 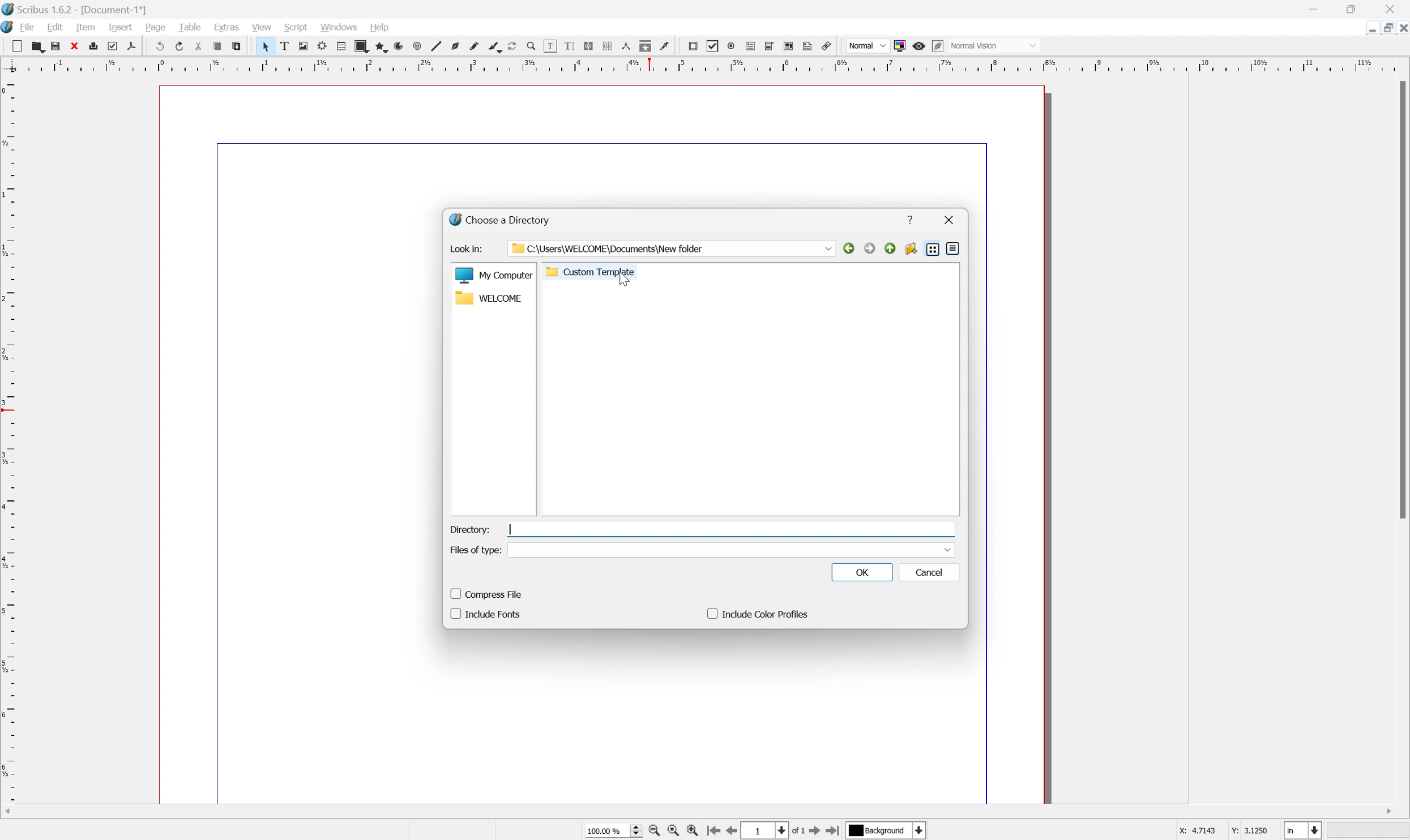 What do you see at coordinates (615, 831) in the screenshot?
I see `100.00%` at bounding box center [615, 831].